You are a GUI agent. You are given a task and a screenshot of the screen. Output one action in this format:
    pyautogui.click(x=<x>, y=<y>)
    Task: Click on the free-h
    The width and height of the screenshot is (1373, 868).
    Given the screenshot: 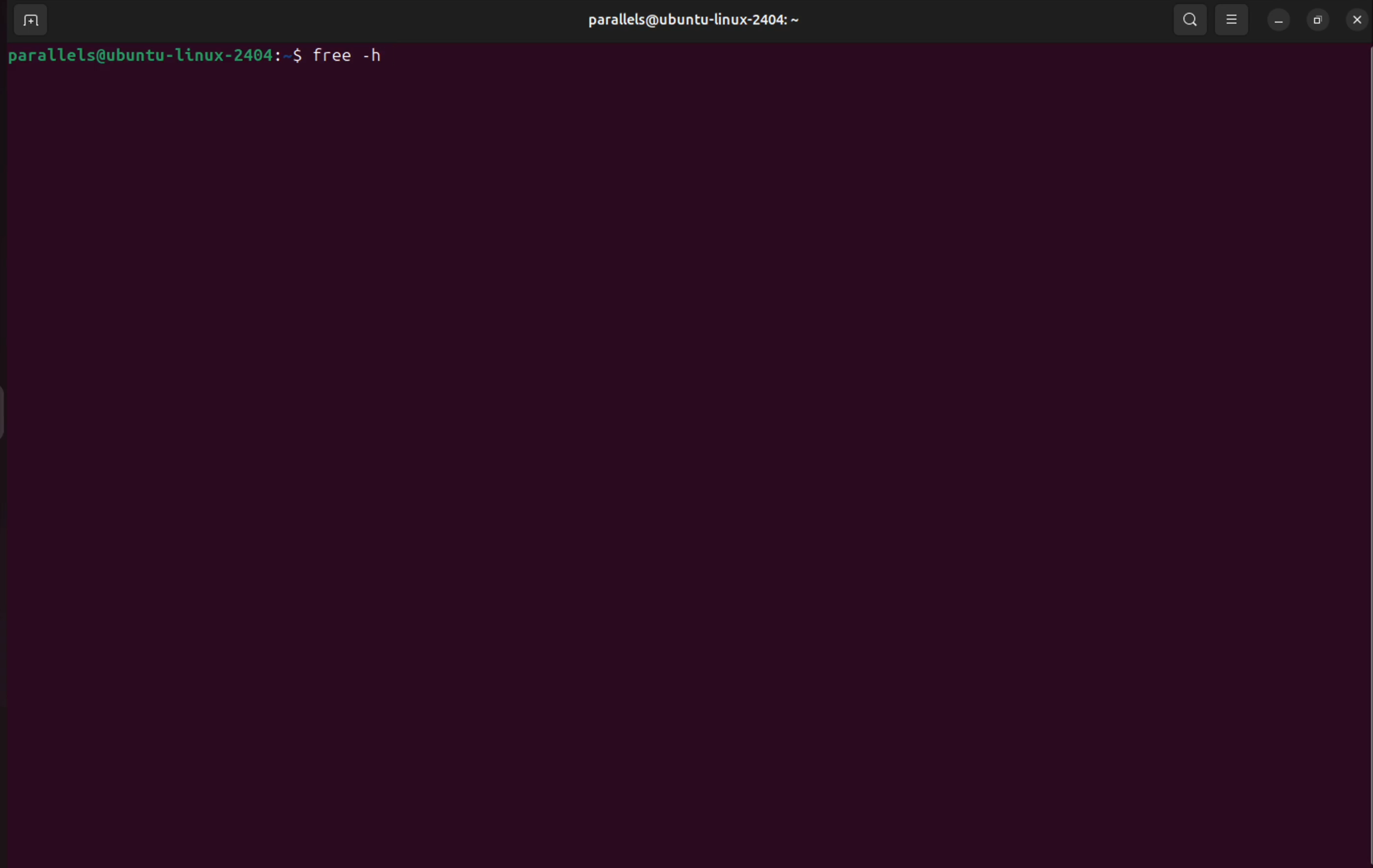 What is the action you would take?
    pyautogui.click(x=351, y=54)
    